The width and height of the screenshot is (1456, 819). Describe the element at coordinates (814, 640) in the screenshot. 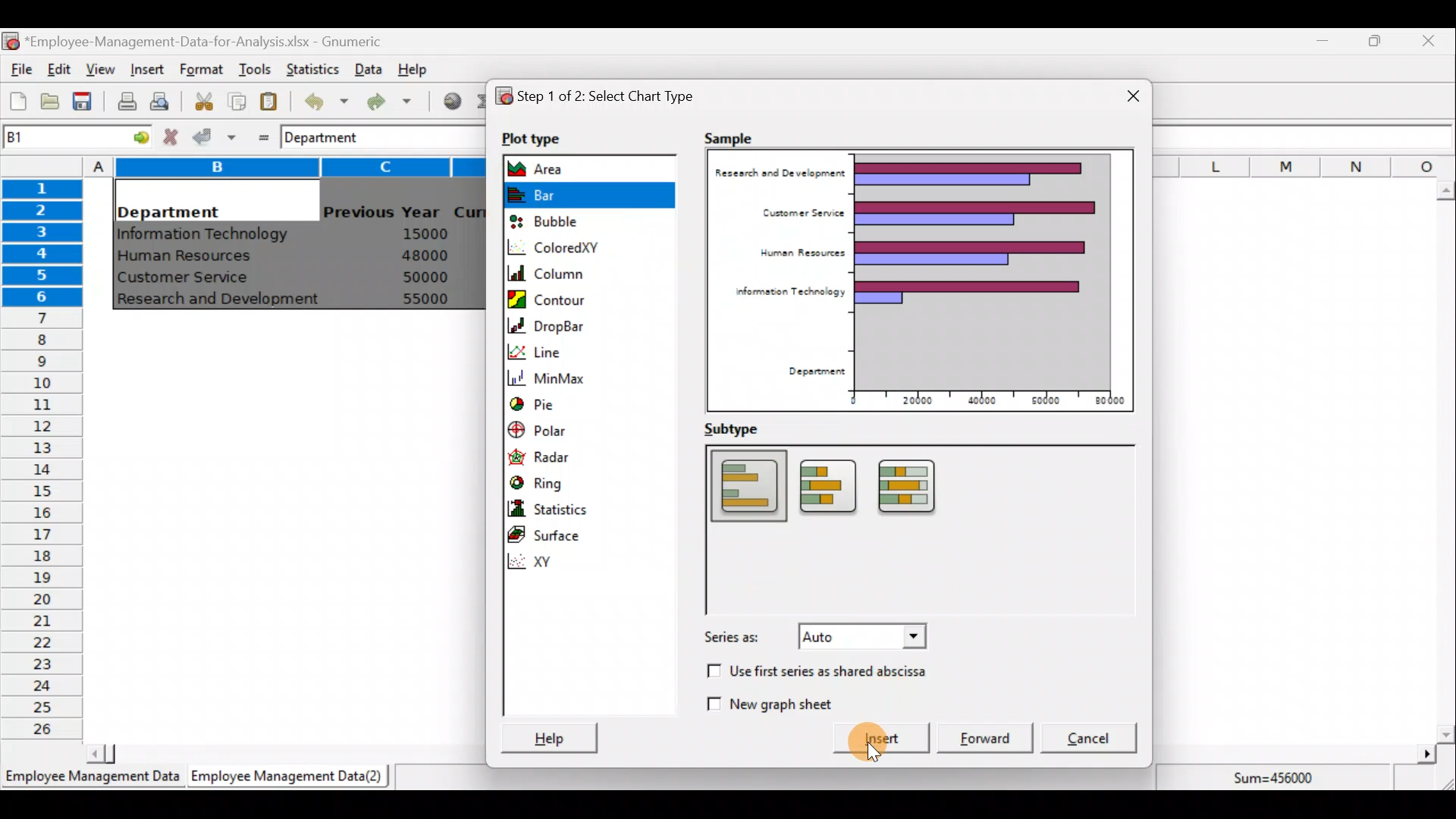

I see `Series as` at that location.